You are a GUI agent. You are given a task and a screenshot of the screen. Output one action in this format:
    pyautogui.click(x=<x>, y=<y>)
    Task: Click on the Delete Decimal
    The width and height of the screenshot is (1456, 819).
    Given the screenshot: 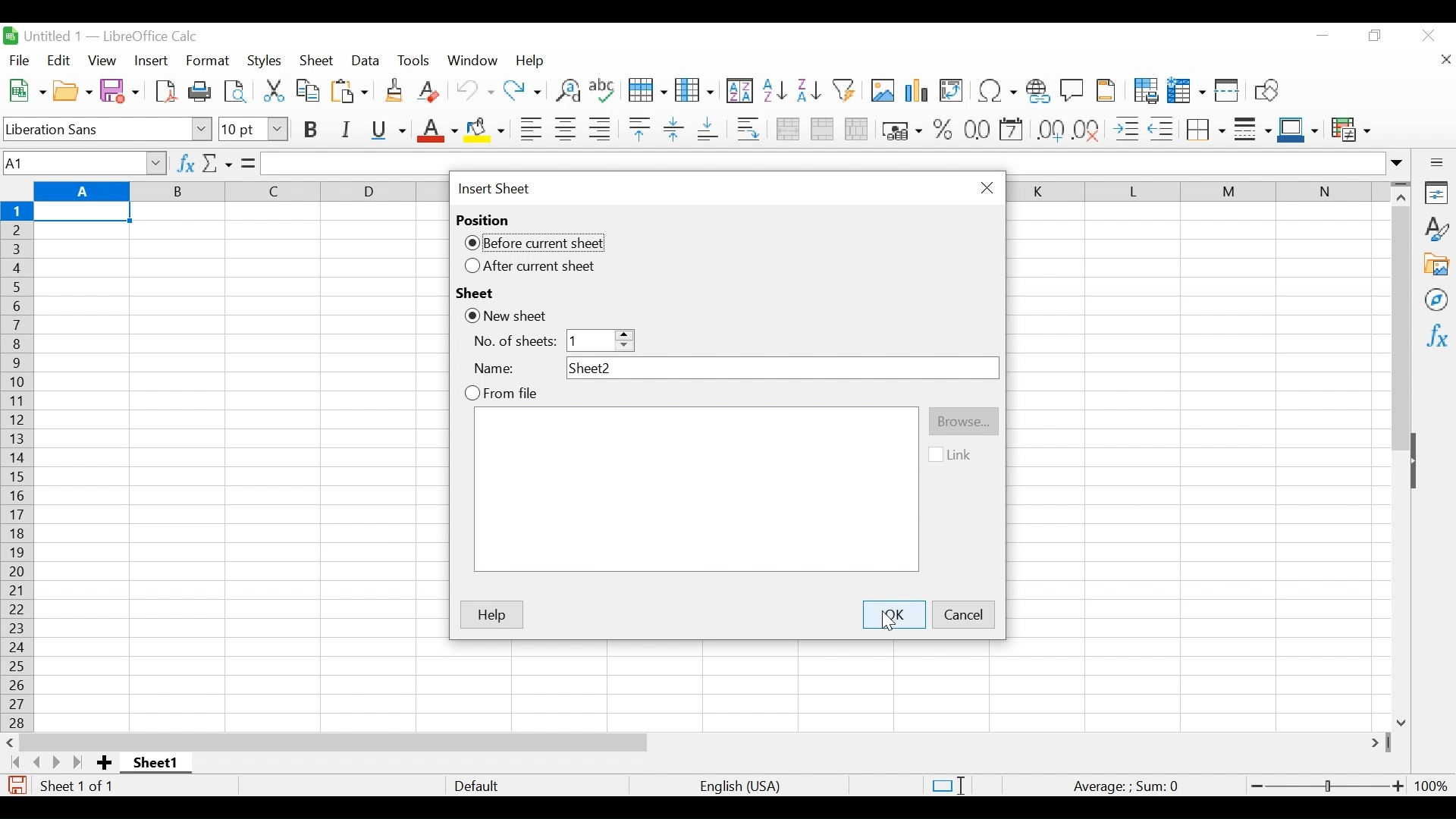 What is the action you would take?
    pyautogui.click(x=1088, y=130)
    